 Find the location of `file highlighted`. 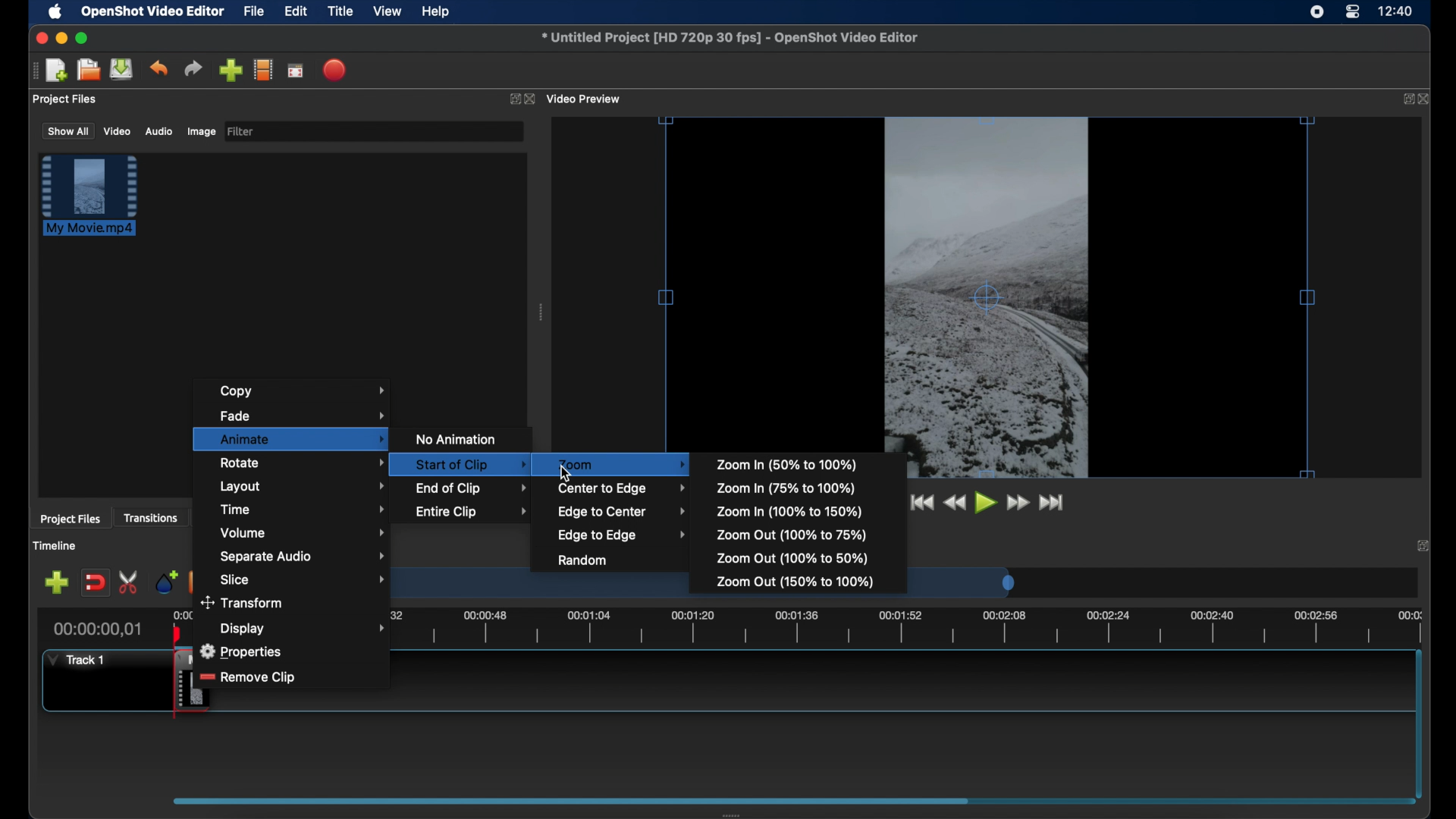

file highlighted is located at coordinates (89, 195).